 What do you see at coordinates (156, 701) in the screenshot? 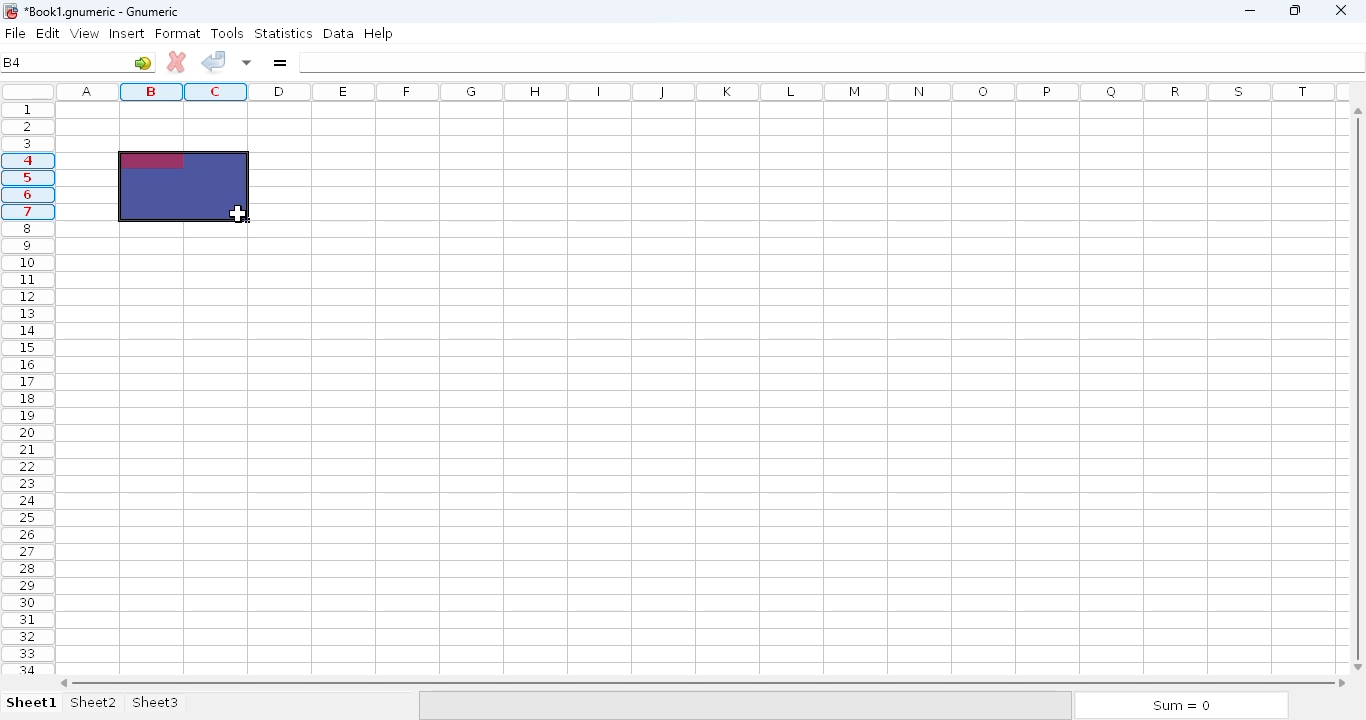
I see `sheet3` at bounding box center [156, 701].